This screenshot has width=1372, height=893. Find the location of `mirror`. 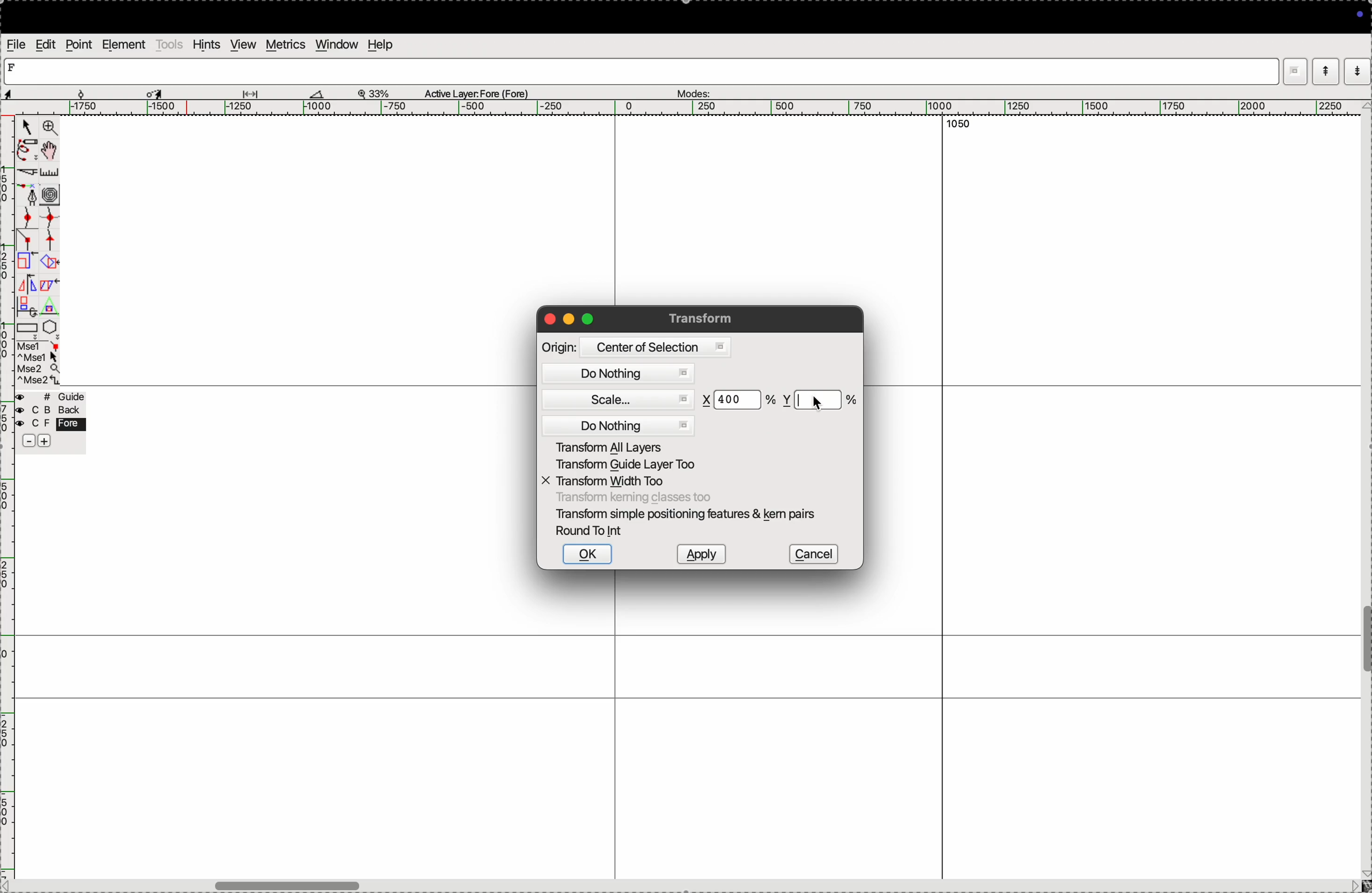

mirror is located at coordinates (37, 286).